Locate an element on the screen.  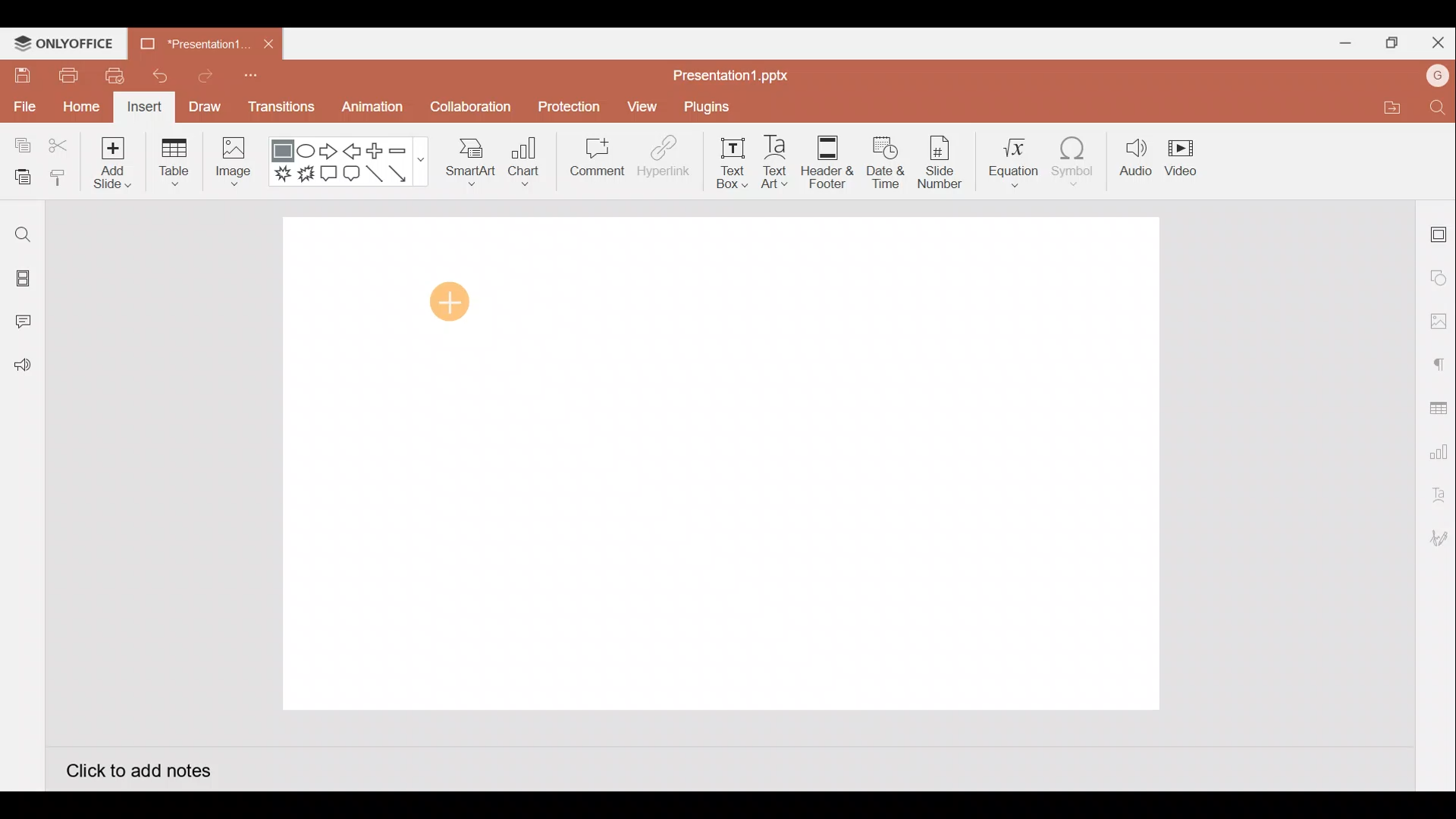
Paragraph settings is located at coordinates (1438, 362).